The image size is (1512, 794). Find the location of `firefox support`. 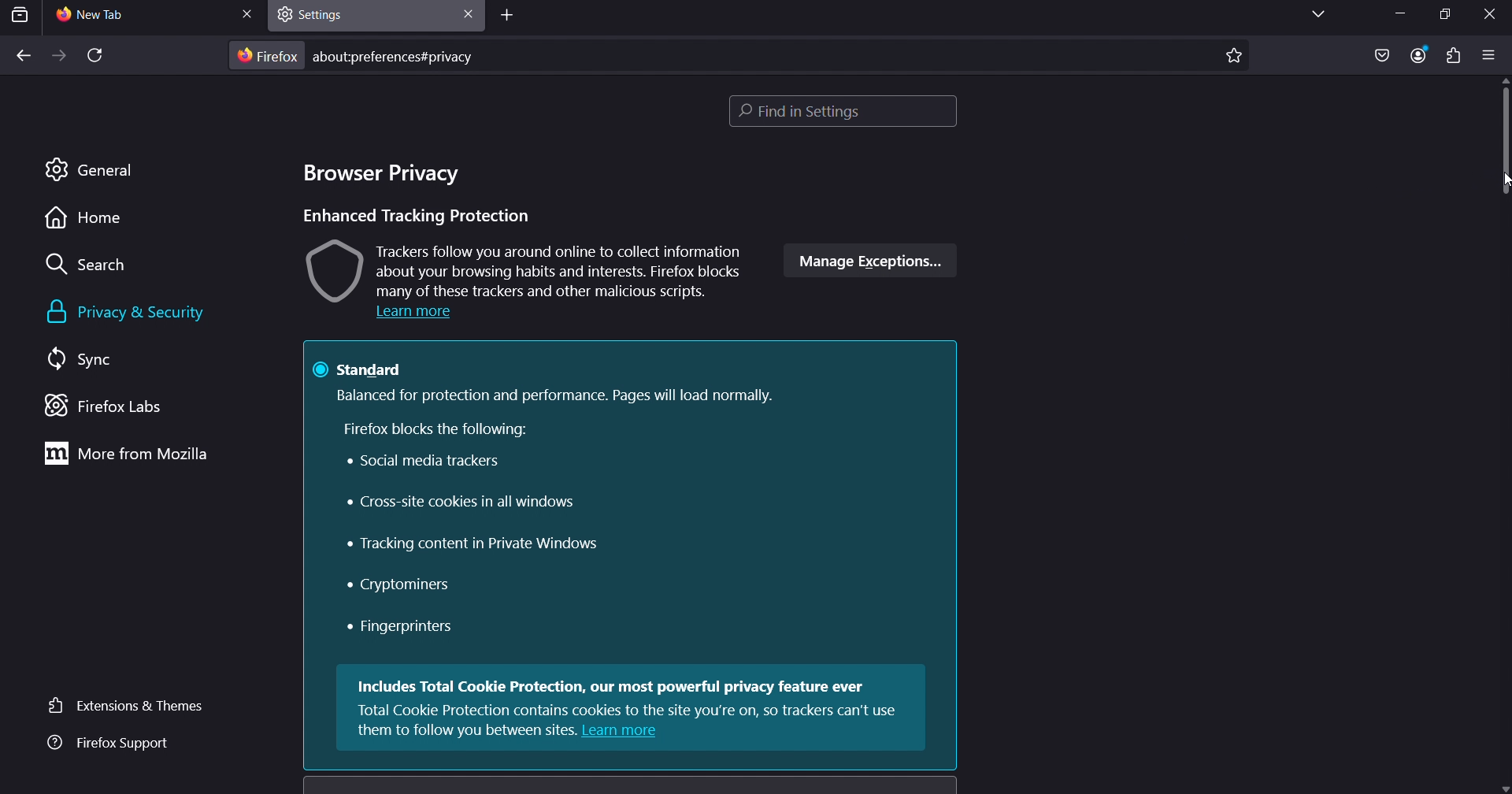

firefox support is located at coordinates (106, 744).